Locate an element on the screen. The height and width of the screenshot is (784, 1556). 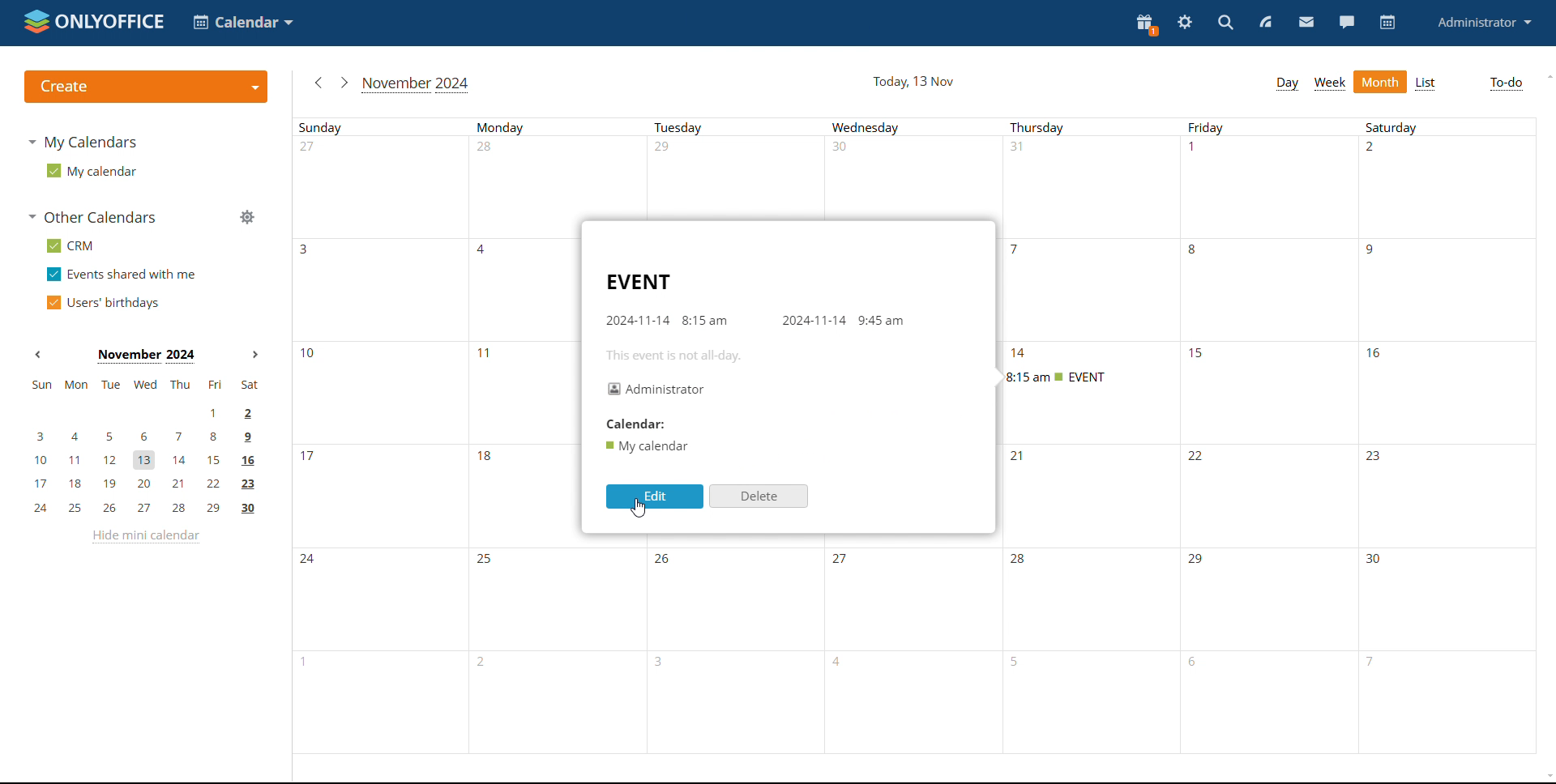
current month is located at coordinates (144, 356).